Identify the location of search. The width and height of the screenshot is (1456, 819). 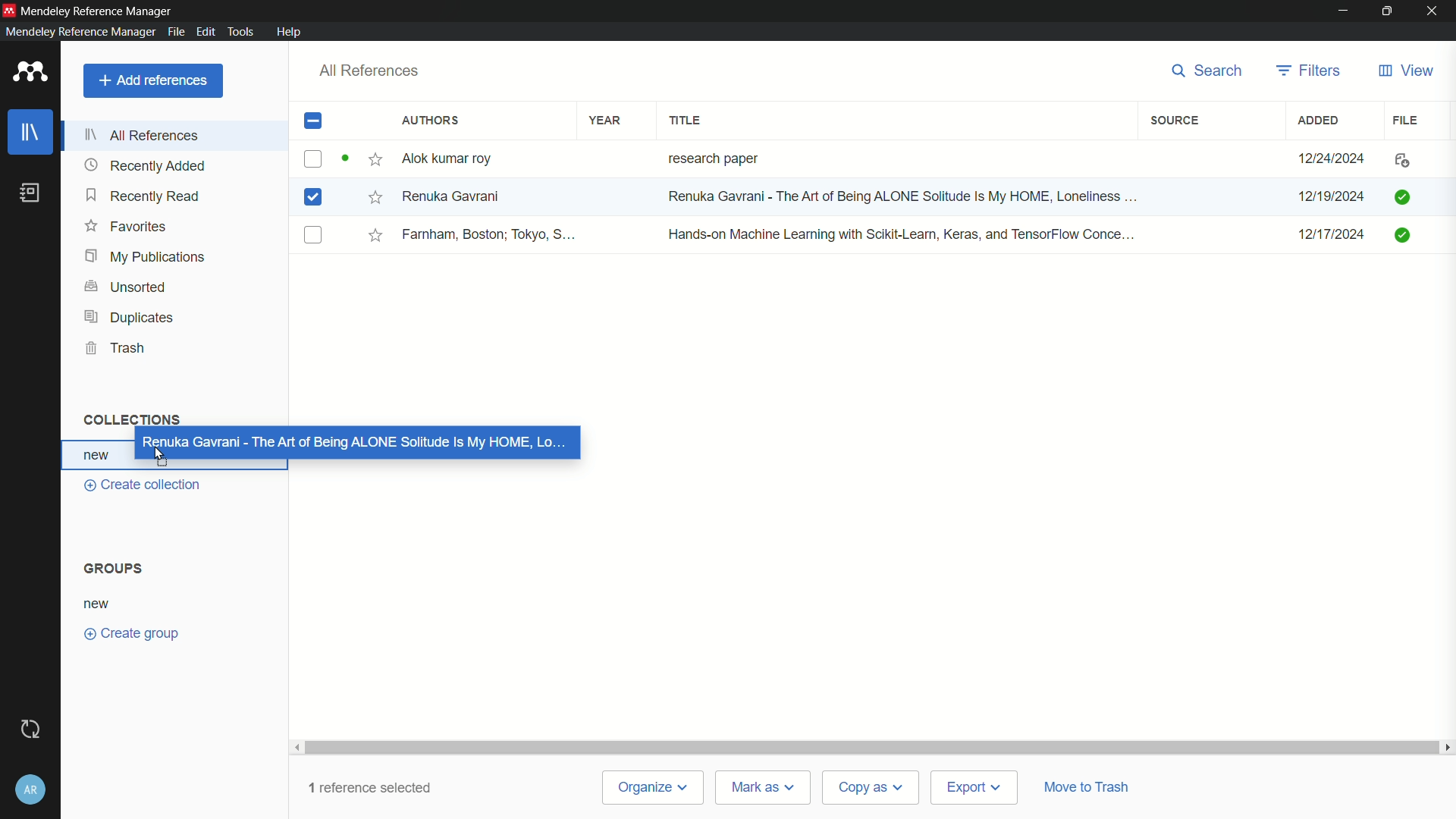
(1210, 71).